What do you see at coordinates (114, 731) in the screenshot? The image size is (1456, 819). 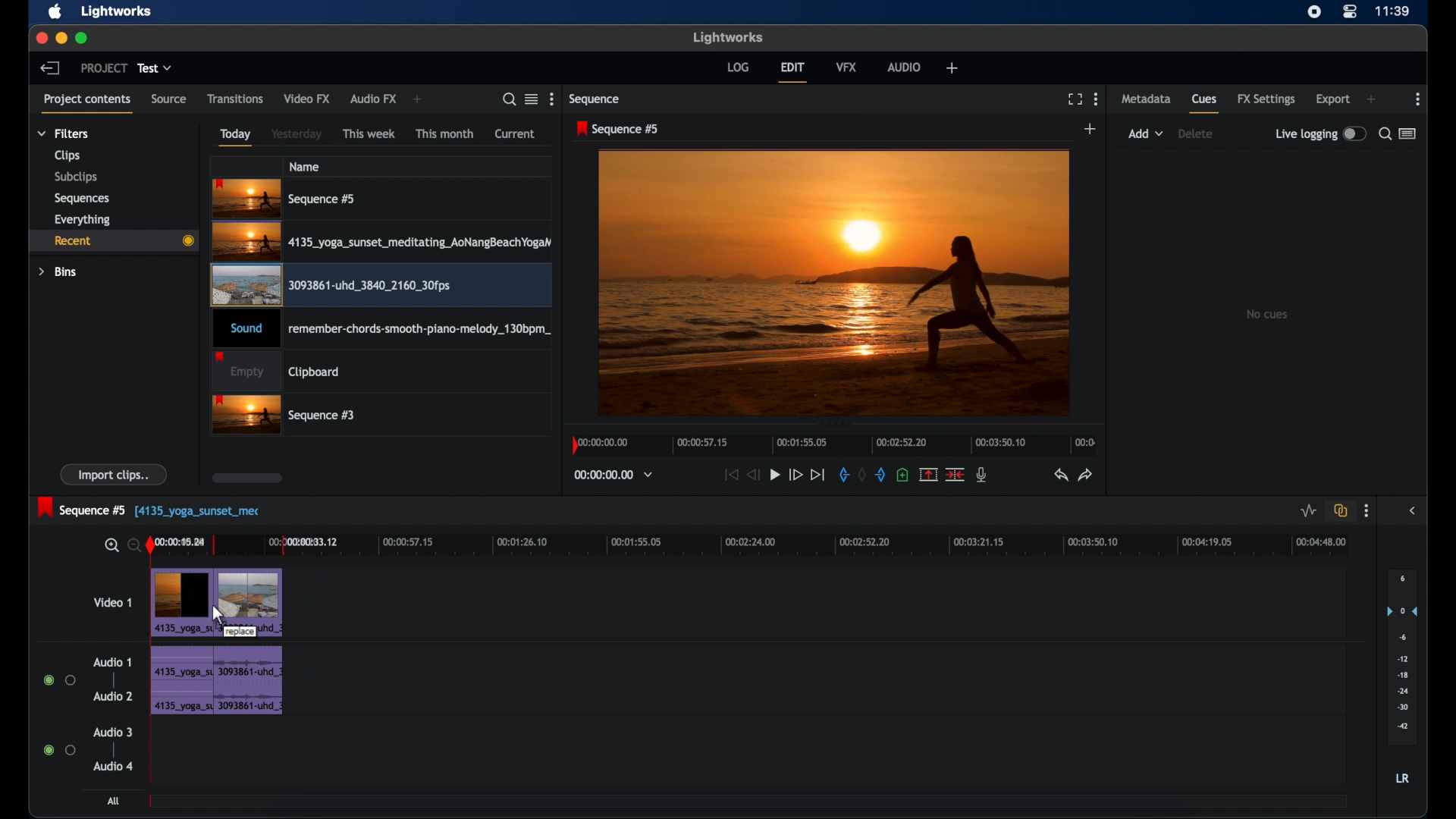 I see `audio 3` at bounding box center [114, 731].